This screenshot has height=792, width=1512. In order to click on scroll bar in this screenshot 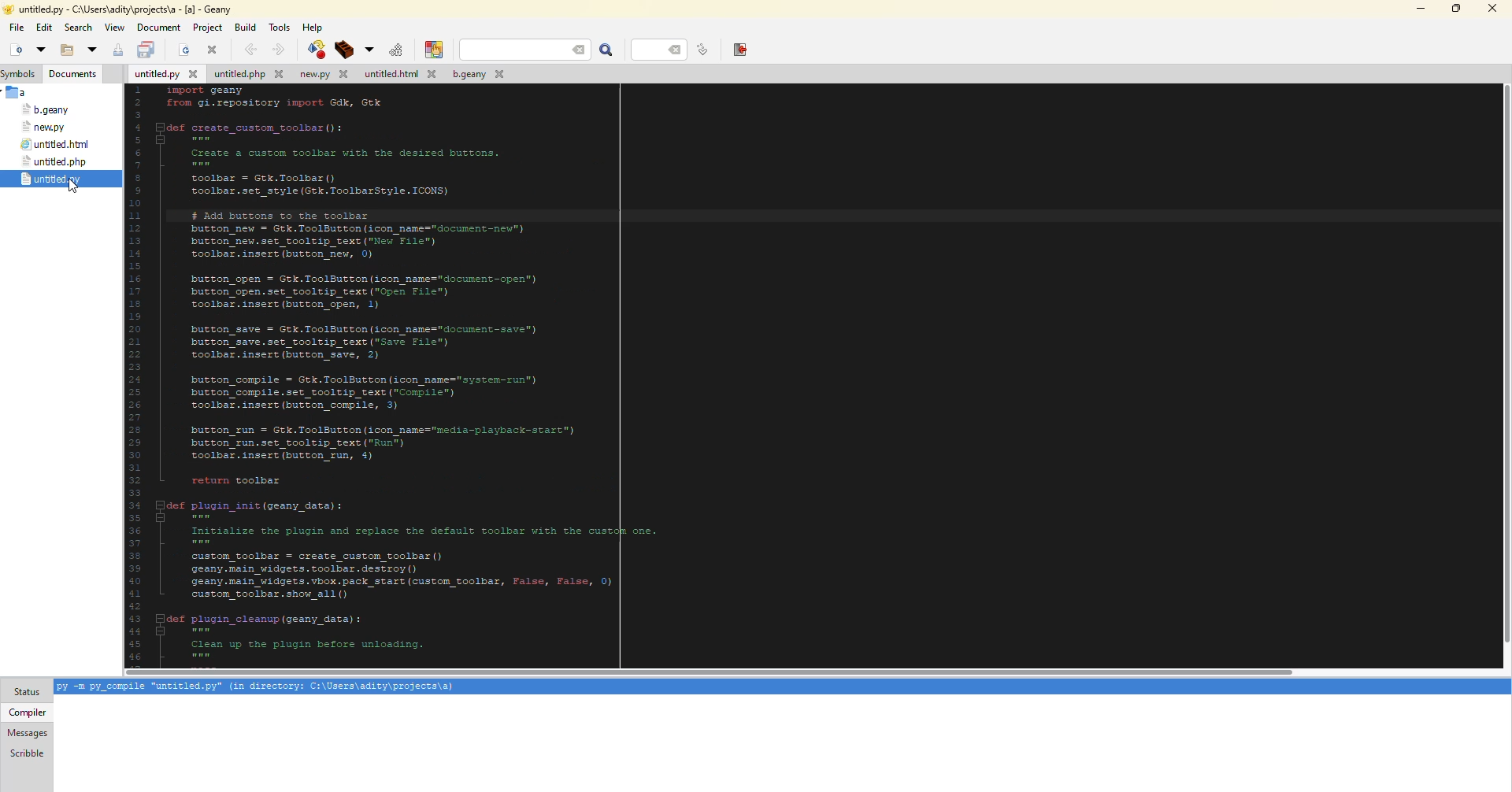, I will do `click(709, 668)`.